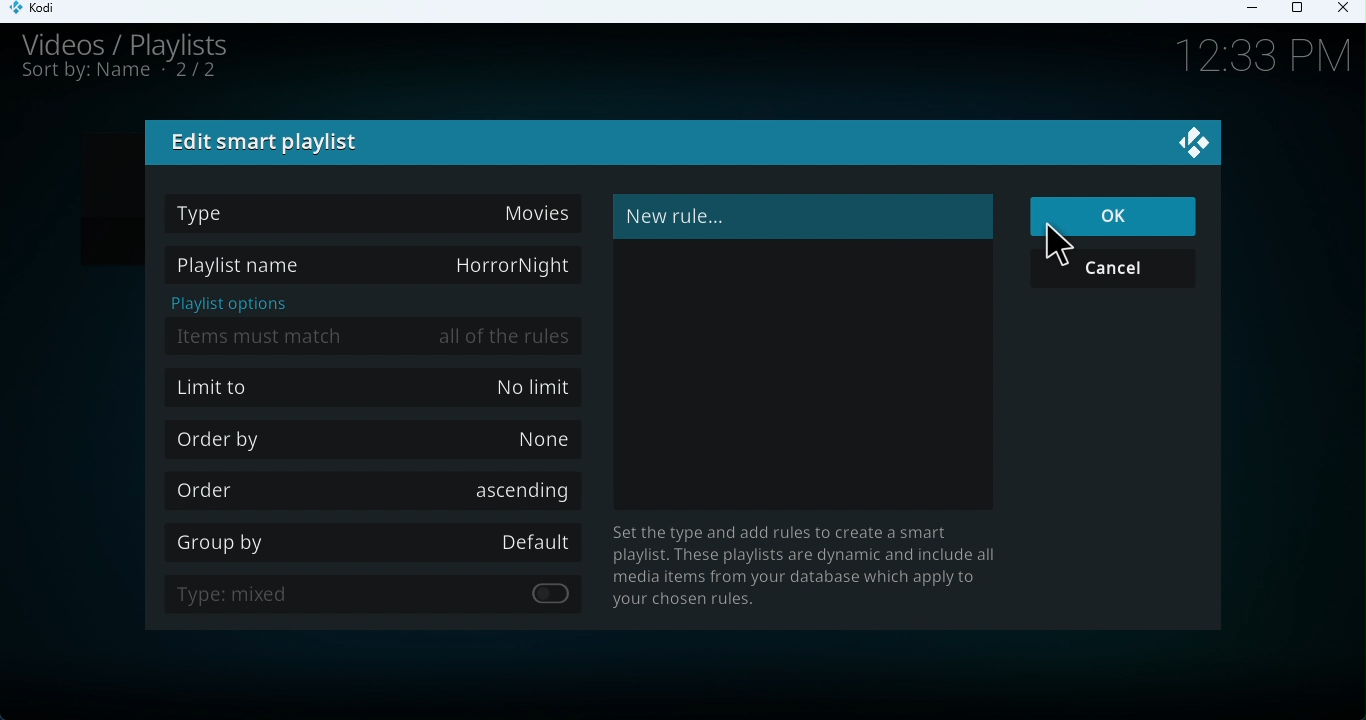 The image size is (1366, 720). Describe the element at coordinates (814, 567) in the screenshot. I see `Note` at that location.